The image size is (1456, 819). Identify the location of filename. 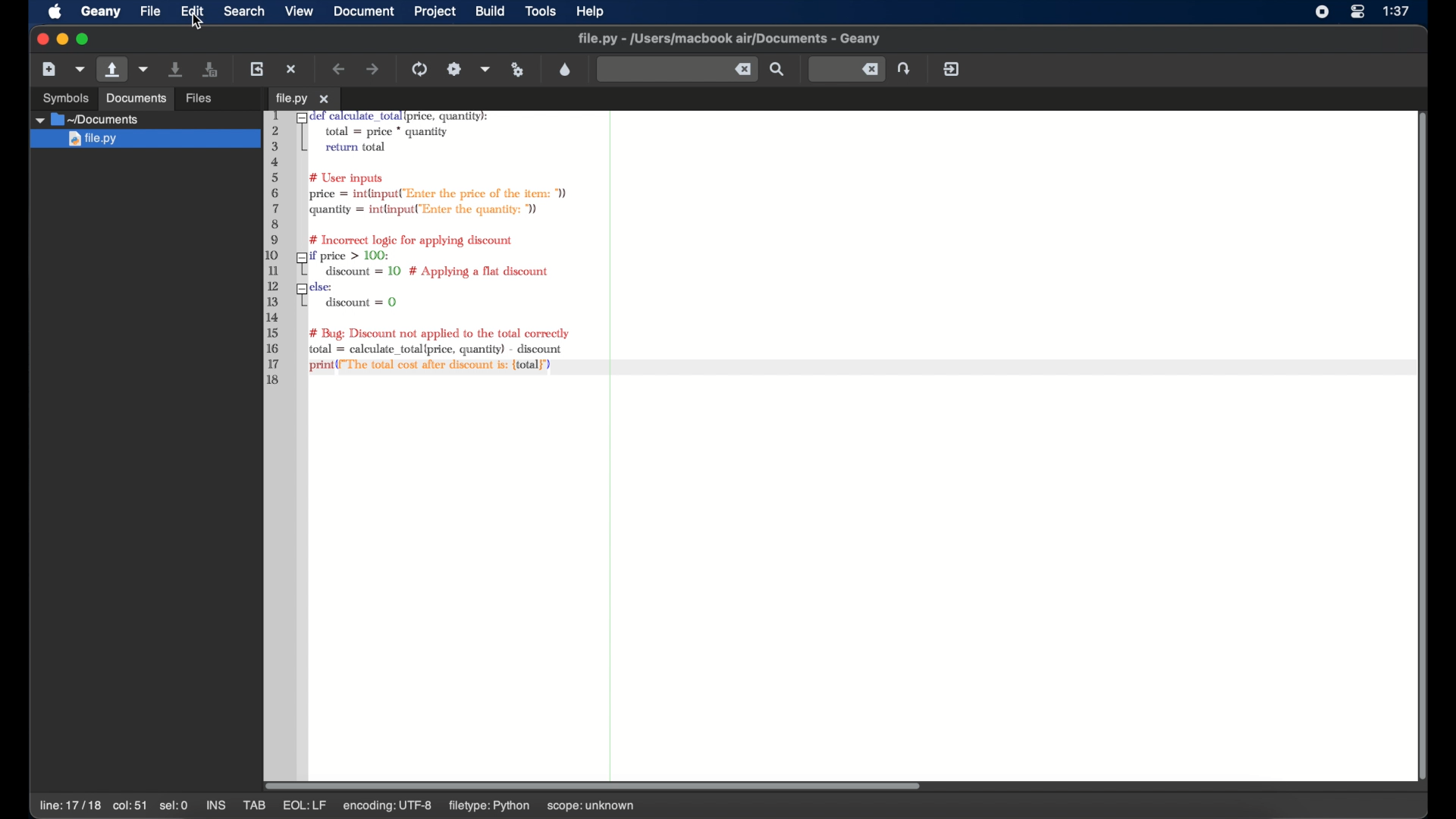
(730, 39).